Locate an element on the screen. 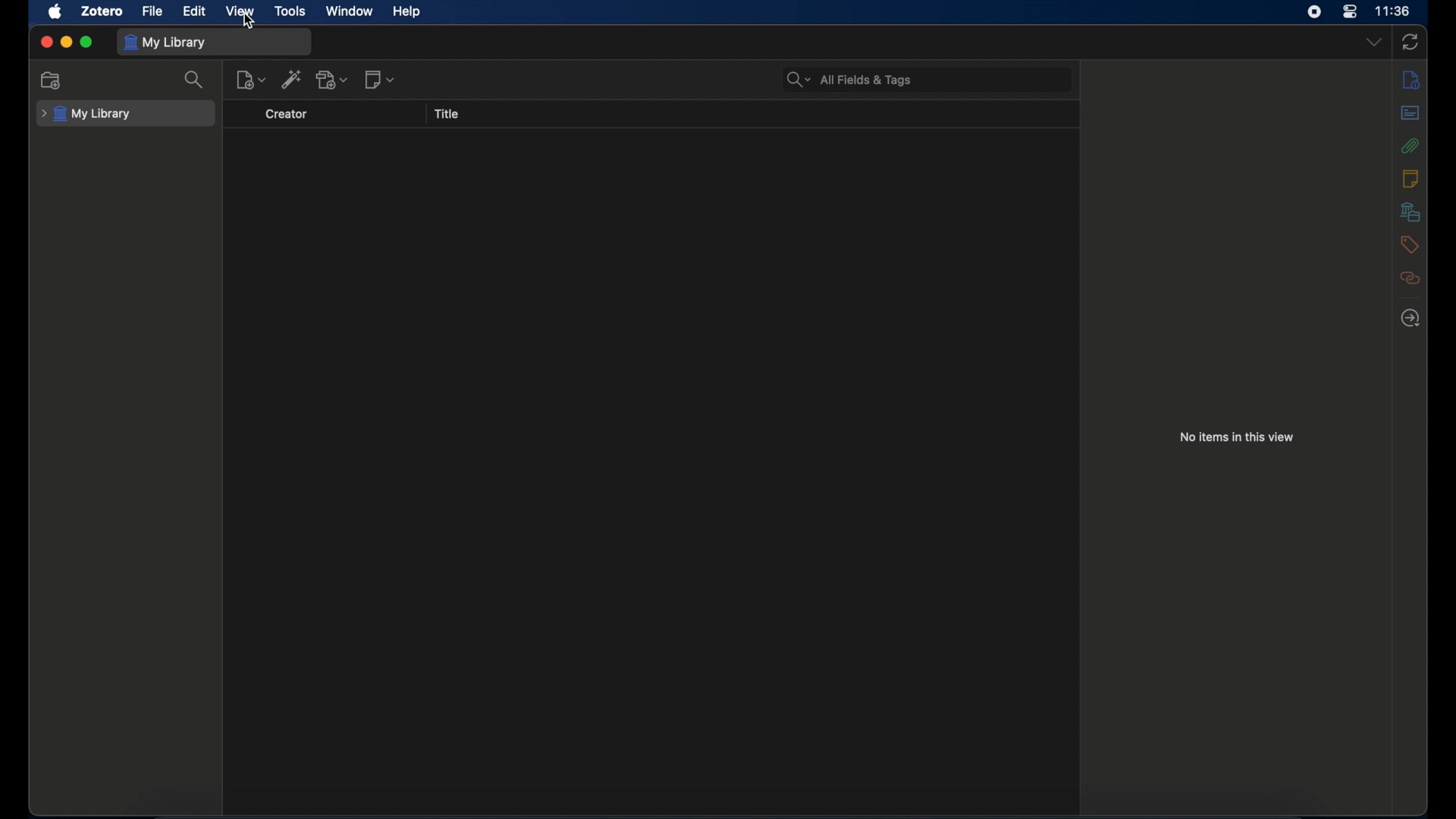 Image resolution: width=1456 pixels, height=819 pixels. help is located at coordinates (406, 12).